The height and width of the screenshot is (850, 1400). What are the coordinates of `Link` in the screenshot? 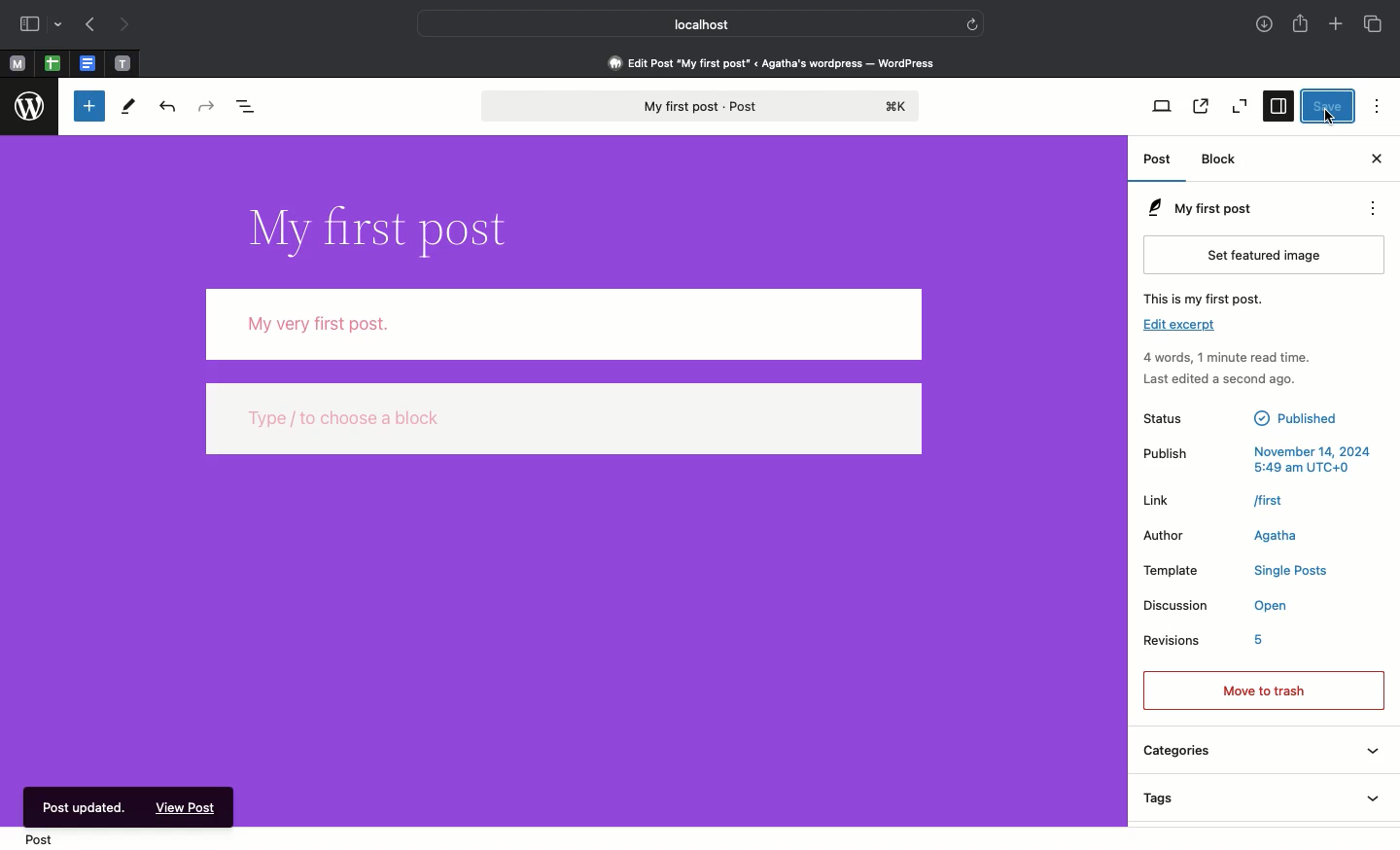 It's located at (1233, 499).